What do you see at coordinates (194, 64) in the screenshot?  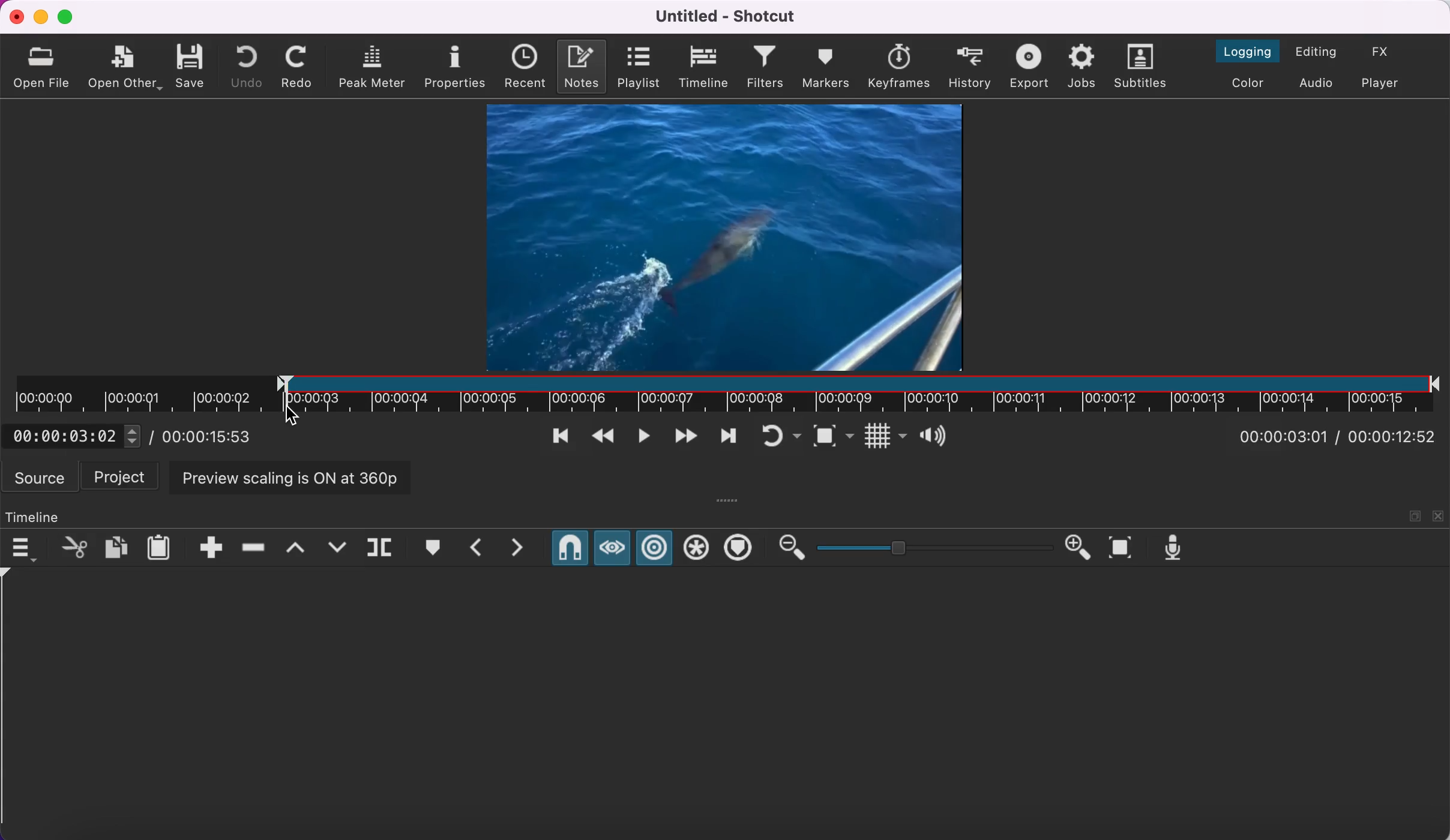 I see `save` at bounding box center [194, 64].